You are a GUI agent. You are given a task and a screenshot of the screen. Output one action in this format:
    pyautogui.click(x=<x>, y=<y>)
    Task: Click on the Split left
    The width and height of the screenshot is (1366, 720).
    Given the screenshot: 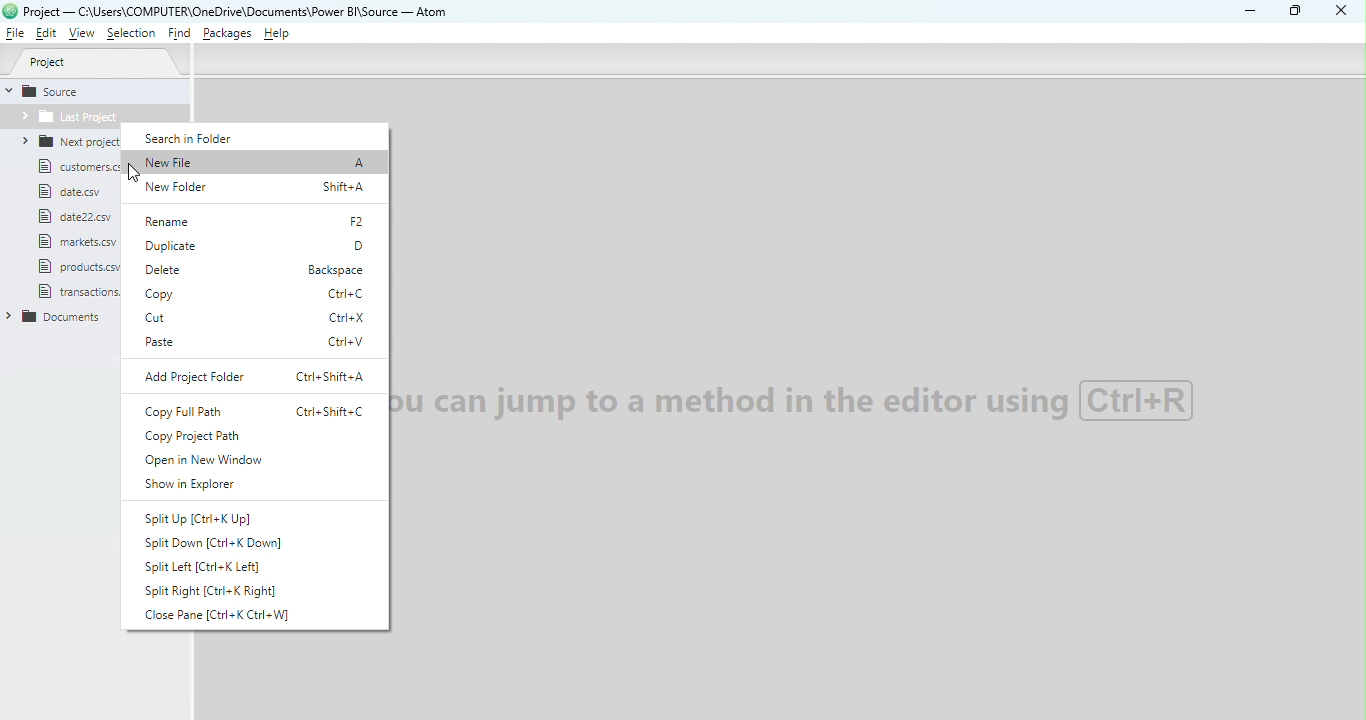 What is the action you would take?
    pyautogui.click(x=232, y=569)
    